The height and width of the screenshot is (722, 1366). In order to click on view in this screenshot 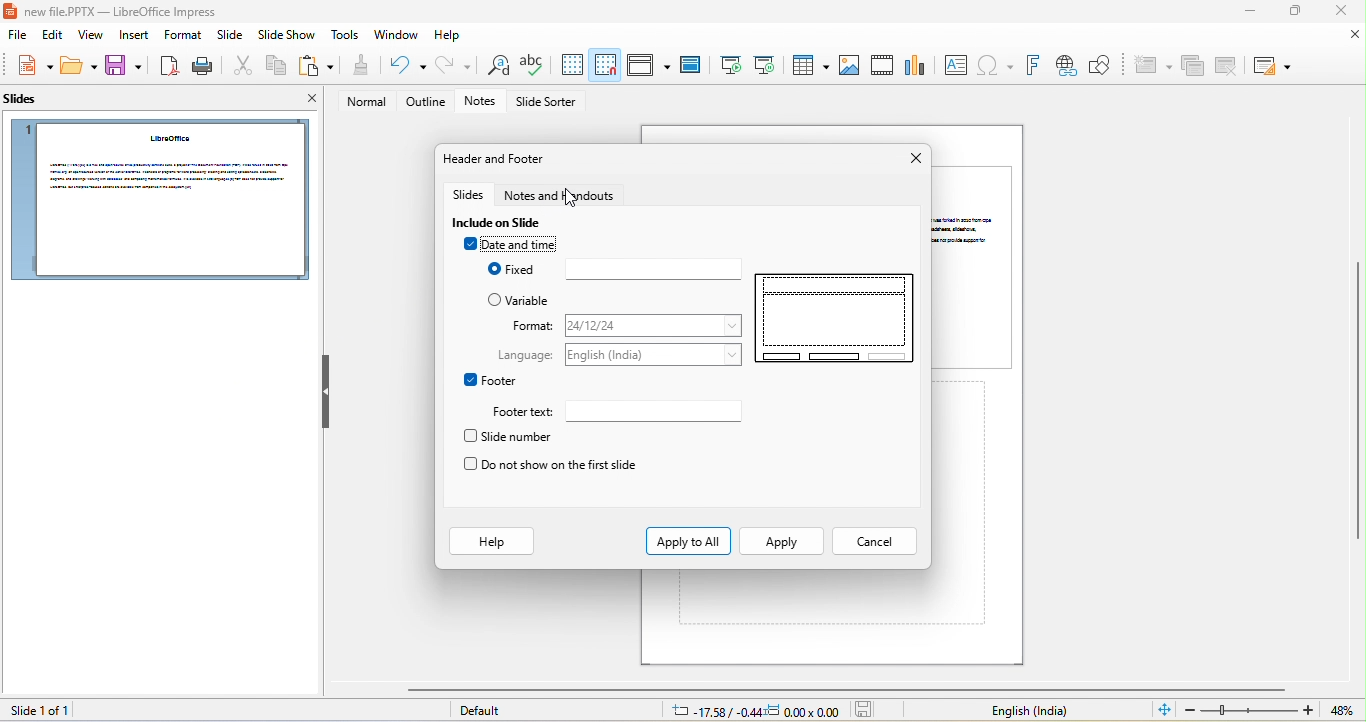, I will do `click(92, 37)`.